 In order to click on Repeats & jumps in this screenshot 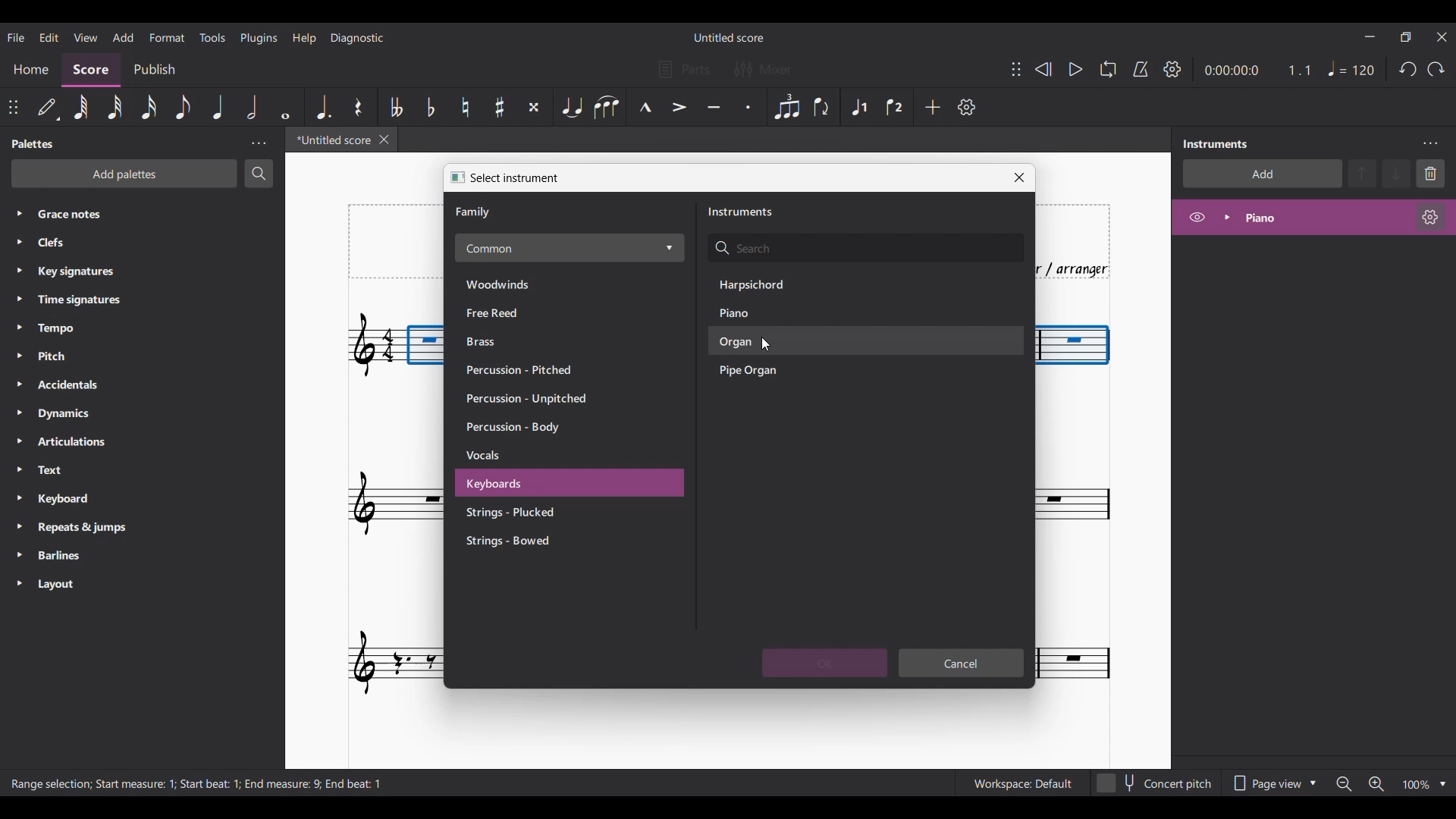, I will do `click(89, 527)`.